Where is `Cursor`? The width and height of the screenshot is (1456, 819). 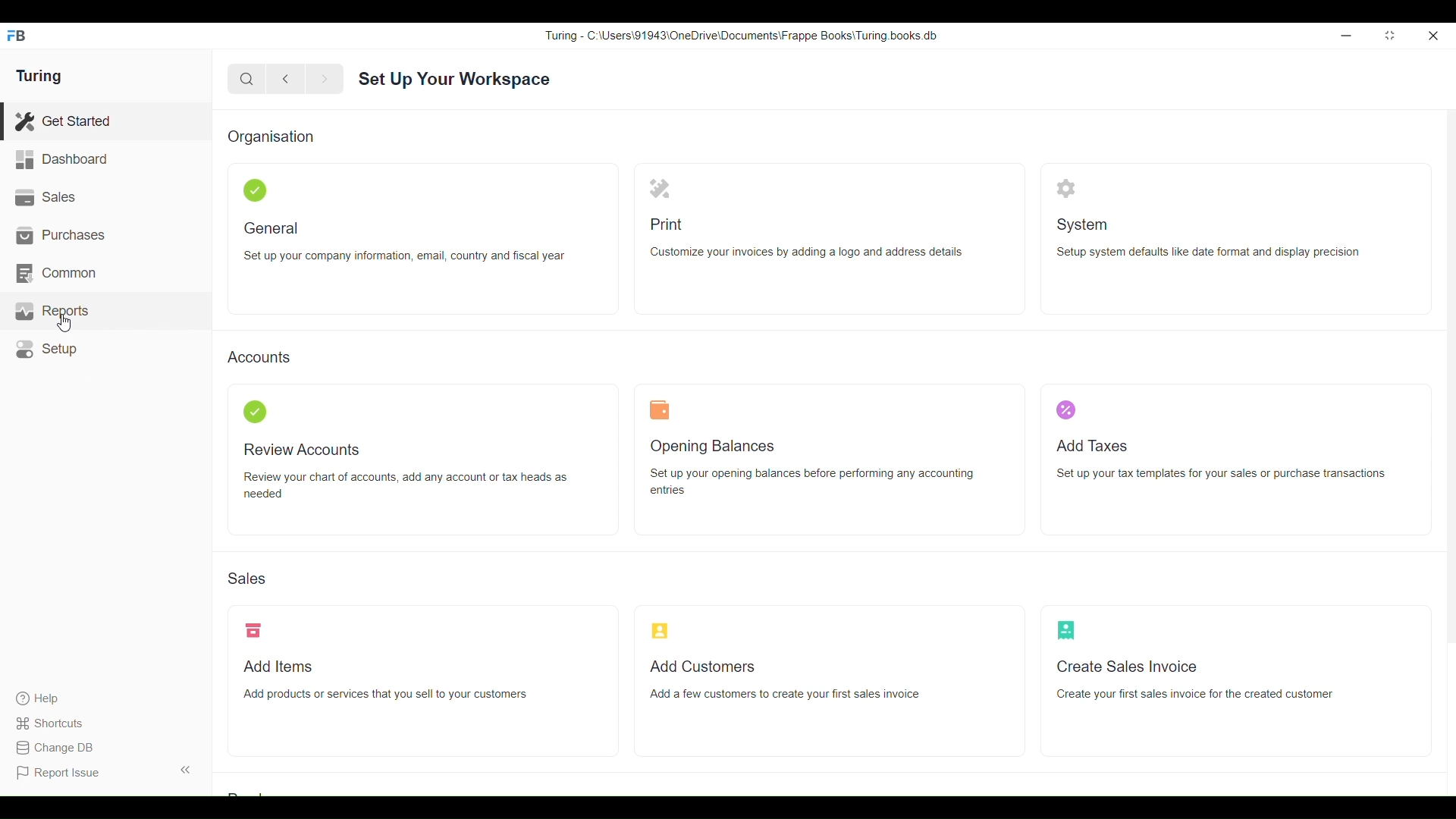 Cursor is located at coordinates (64, 323).